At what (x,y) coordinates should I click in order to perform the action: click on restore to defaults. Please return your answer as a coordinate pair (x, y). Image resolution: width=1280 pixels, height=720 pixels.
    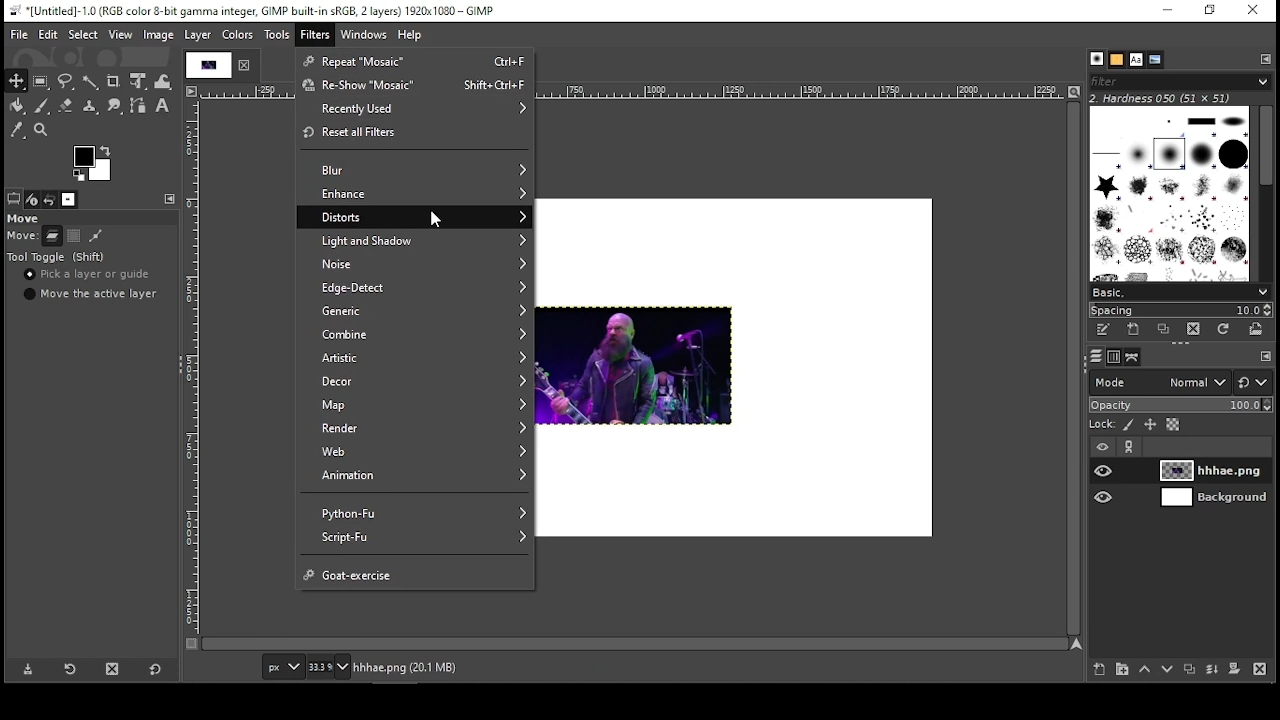
    Looking at the image, I should click on (155, 670).